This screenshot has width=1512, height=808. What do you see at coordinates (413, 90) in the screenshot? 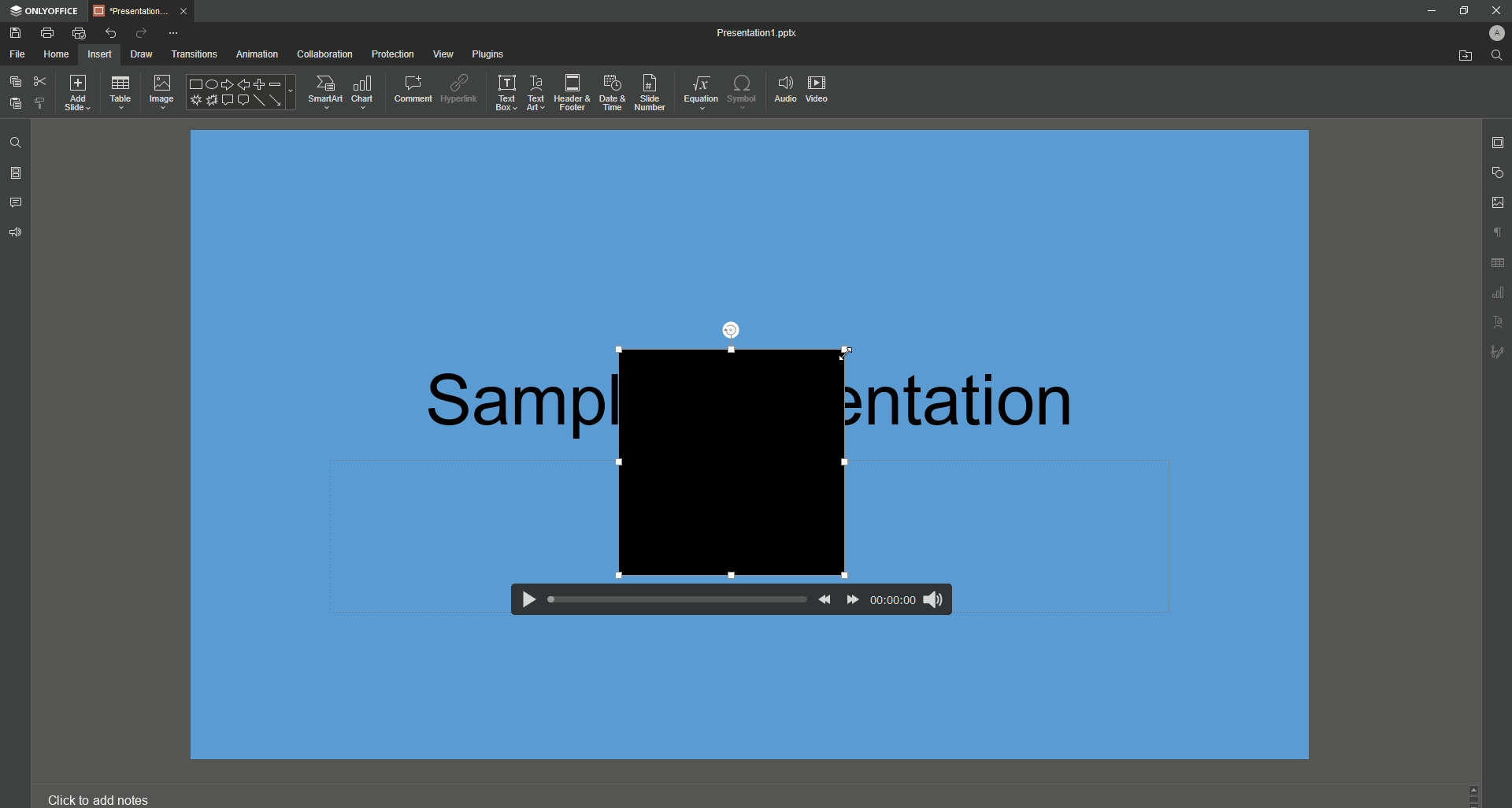
I see `Comment` at bounding box center [413, 90].